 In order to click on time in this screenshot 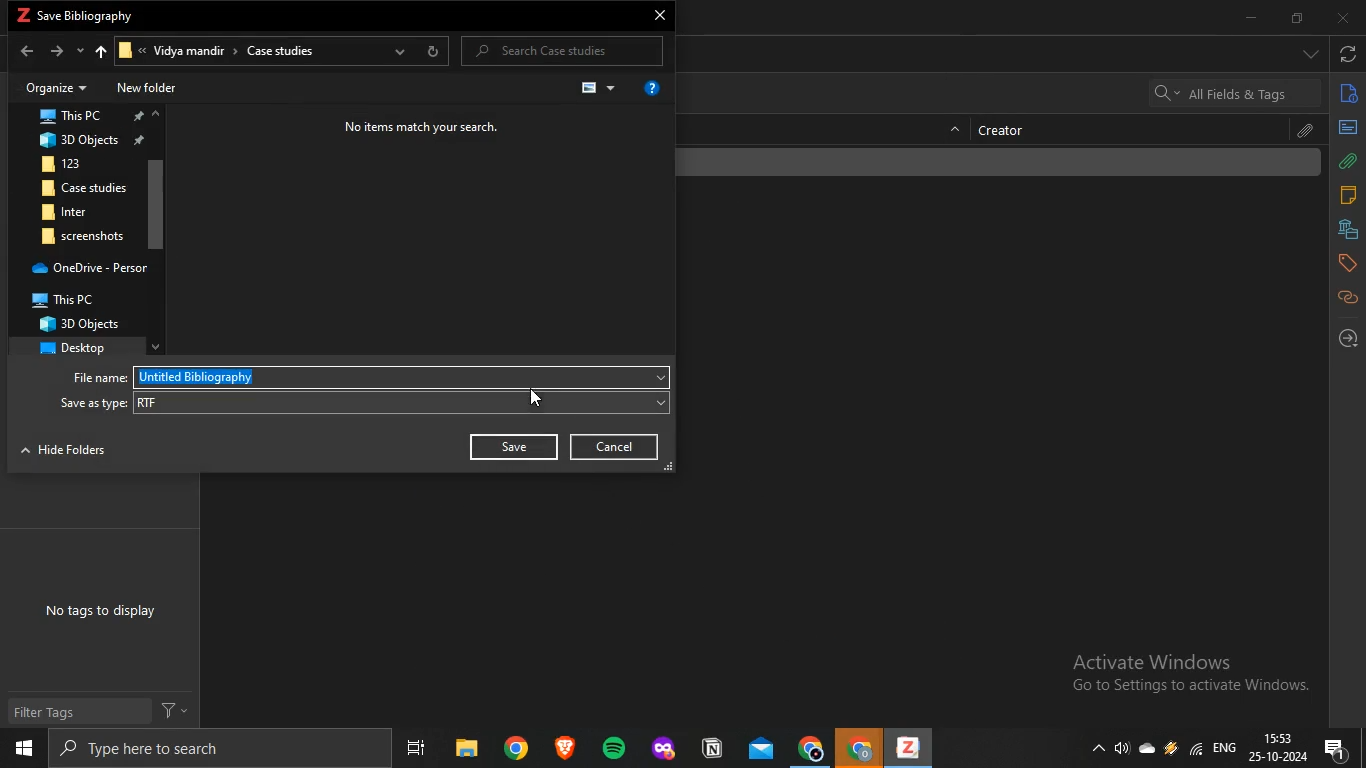, I will do `click(1279, 737)`.